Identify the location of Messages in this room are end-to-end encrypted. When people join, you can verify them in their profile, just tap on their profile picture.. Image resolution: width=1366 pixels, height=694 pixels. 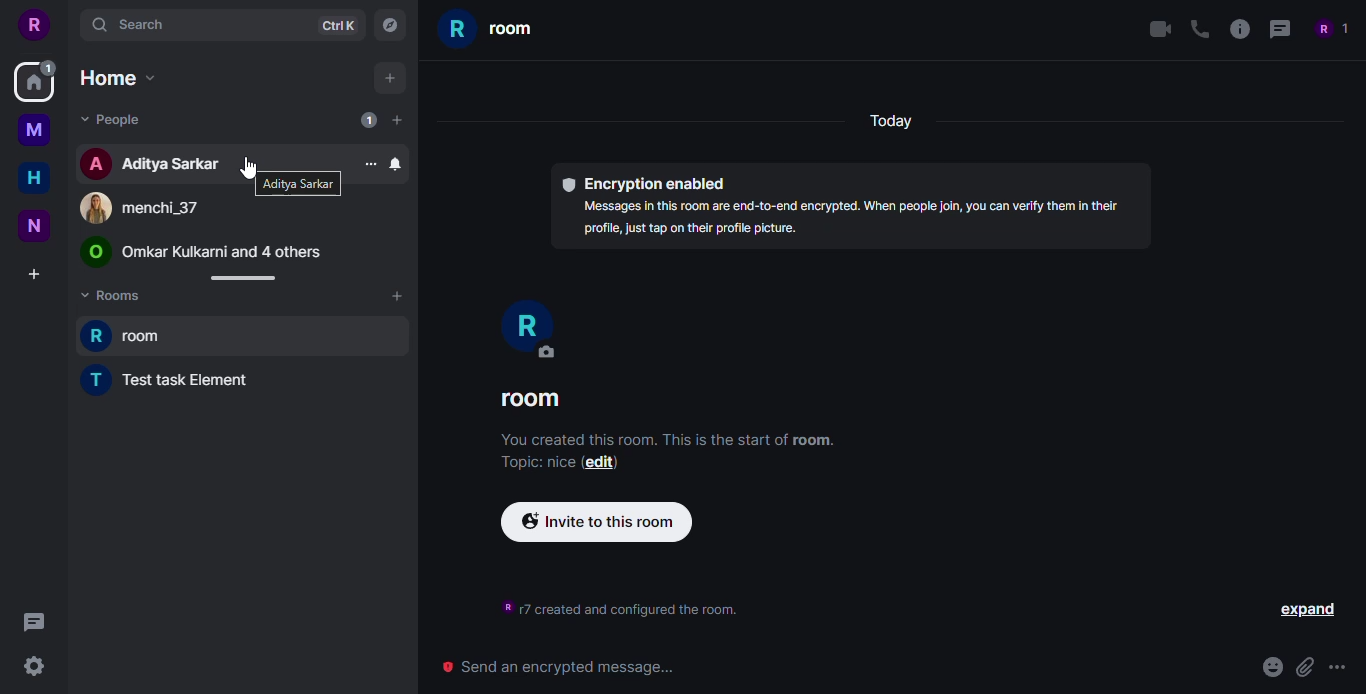
(847, 222).